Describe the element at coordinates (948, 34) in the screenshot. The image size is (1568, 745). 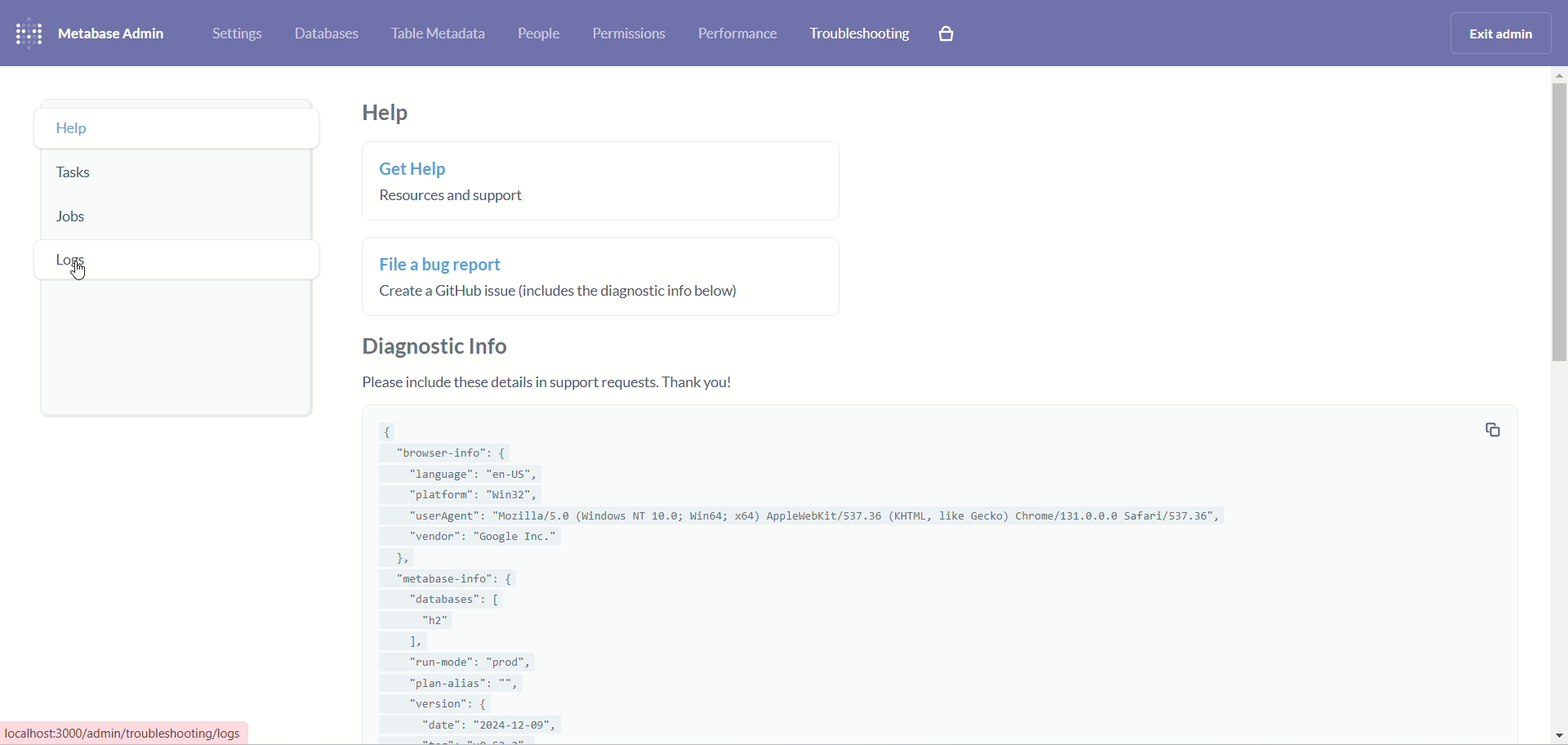
I see `explore paid features` at that location.